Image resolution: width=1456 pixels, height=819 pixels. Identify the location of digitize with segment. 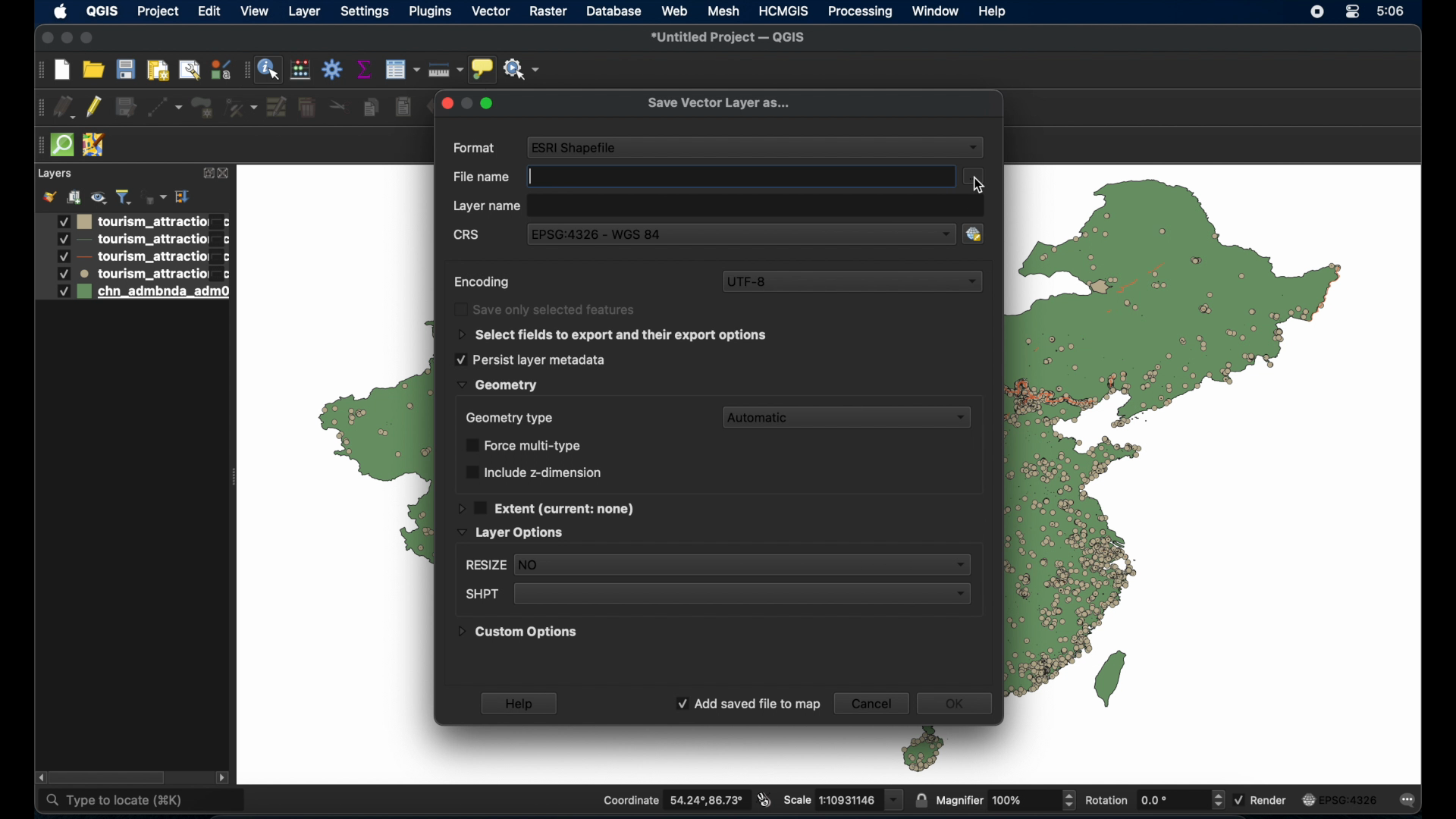
(165, 108).